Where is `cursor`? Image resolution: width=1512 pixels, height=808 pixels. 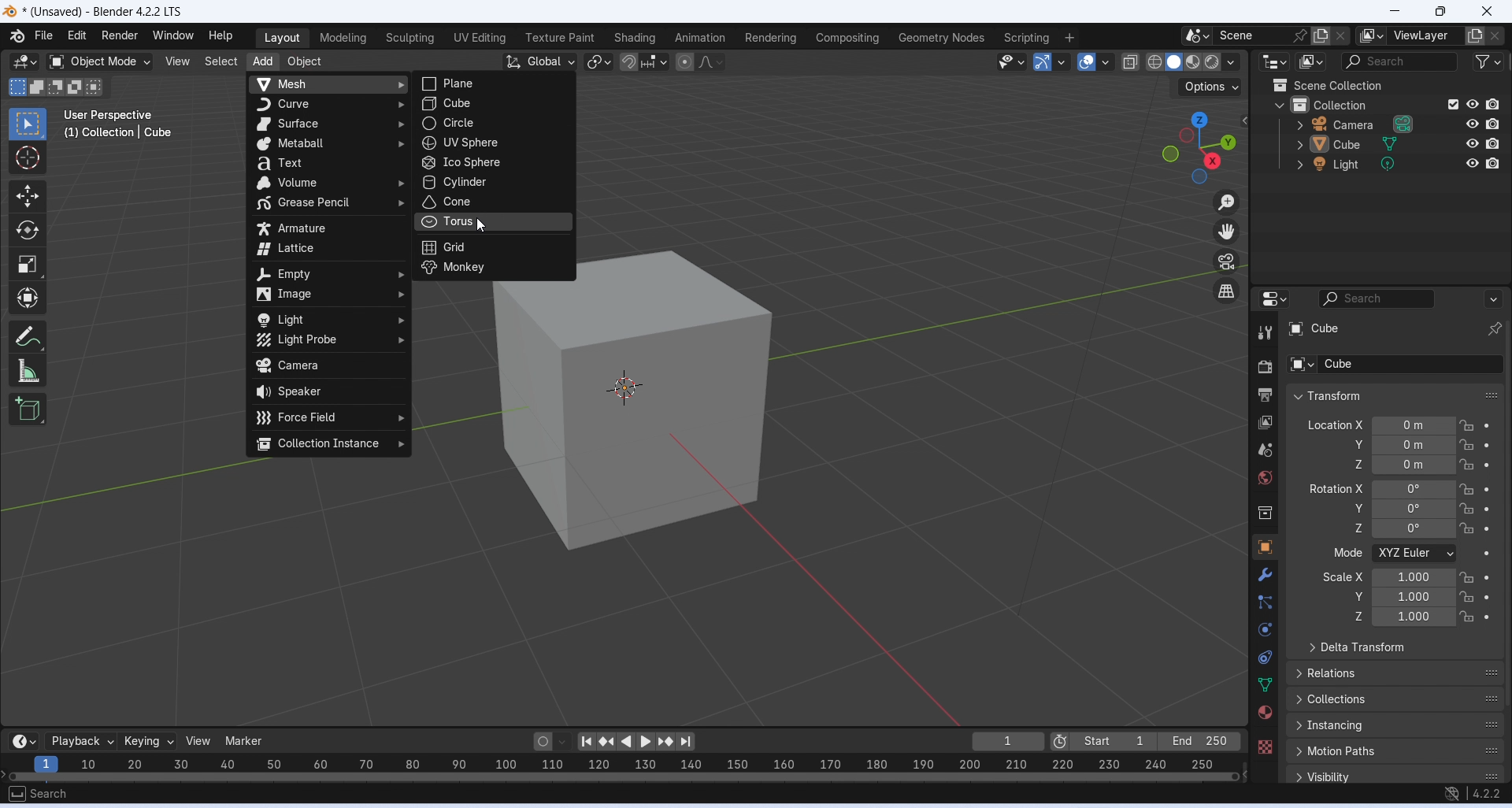 cursor is located at coordinates (482, 226).